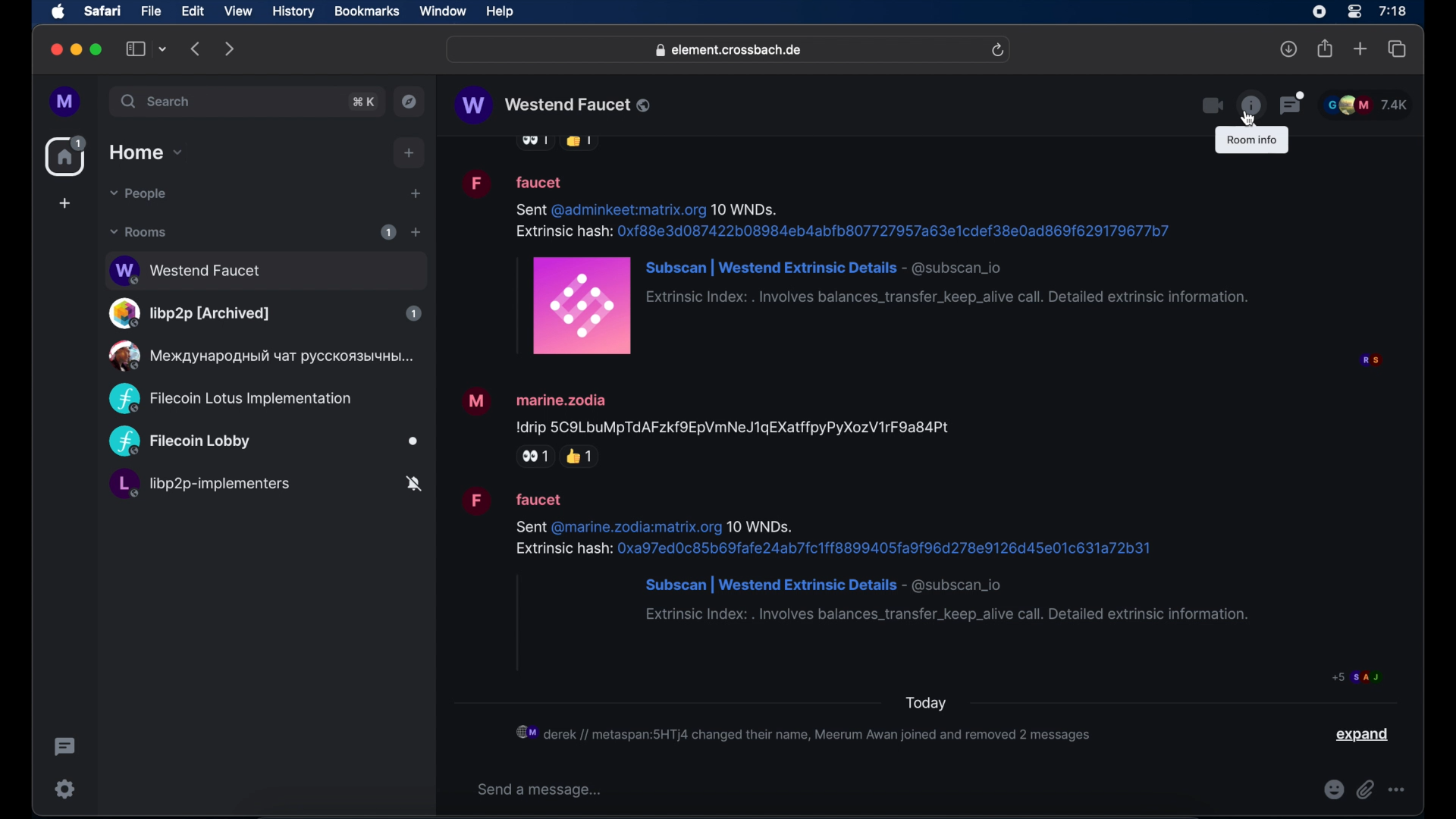  I want to click on participants, so click(1366, 105).